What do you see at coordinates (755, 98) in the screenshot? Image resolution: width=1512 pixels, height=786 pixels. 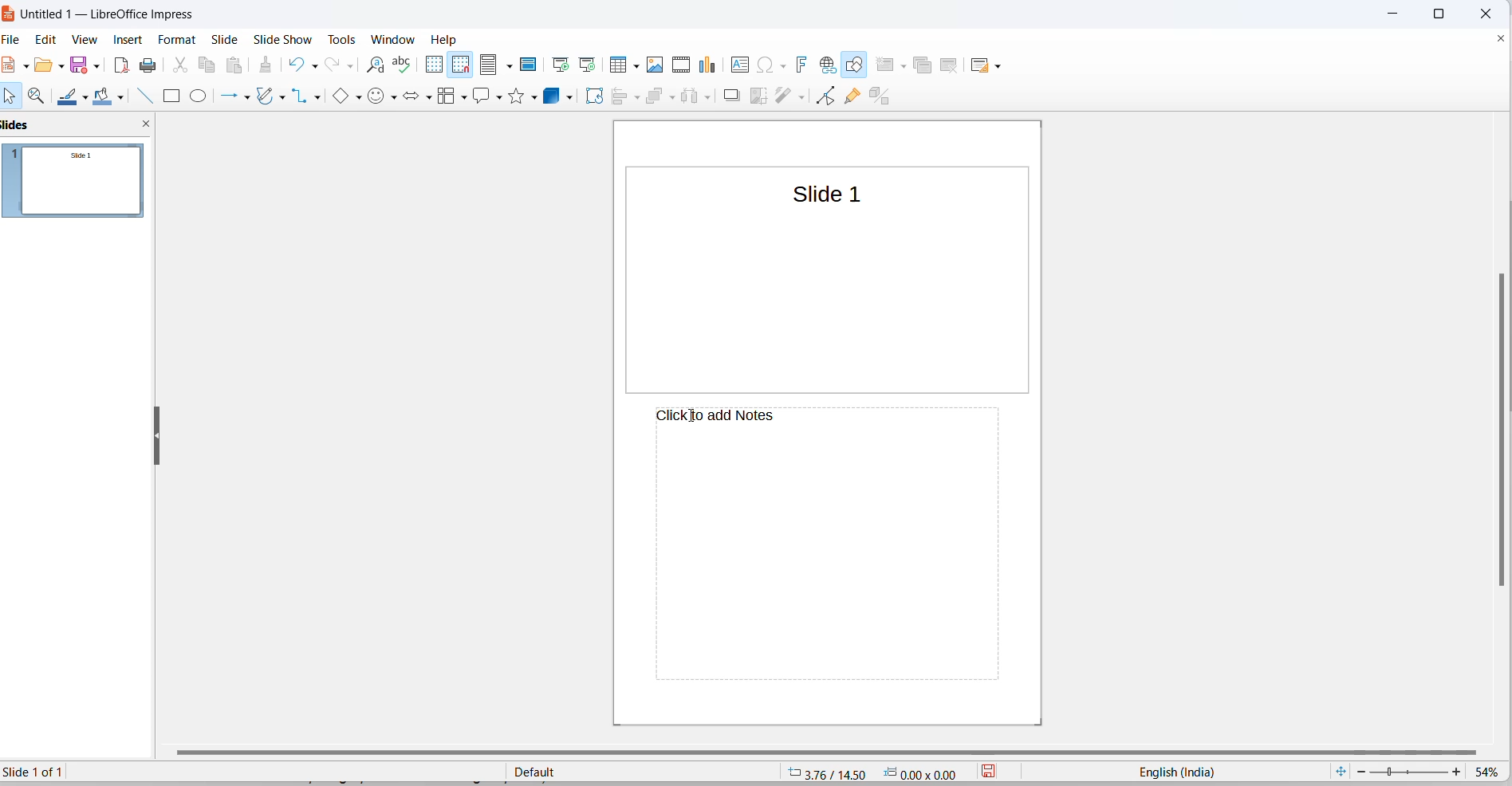 I see `crop an image` at bounding box center [755, 98].